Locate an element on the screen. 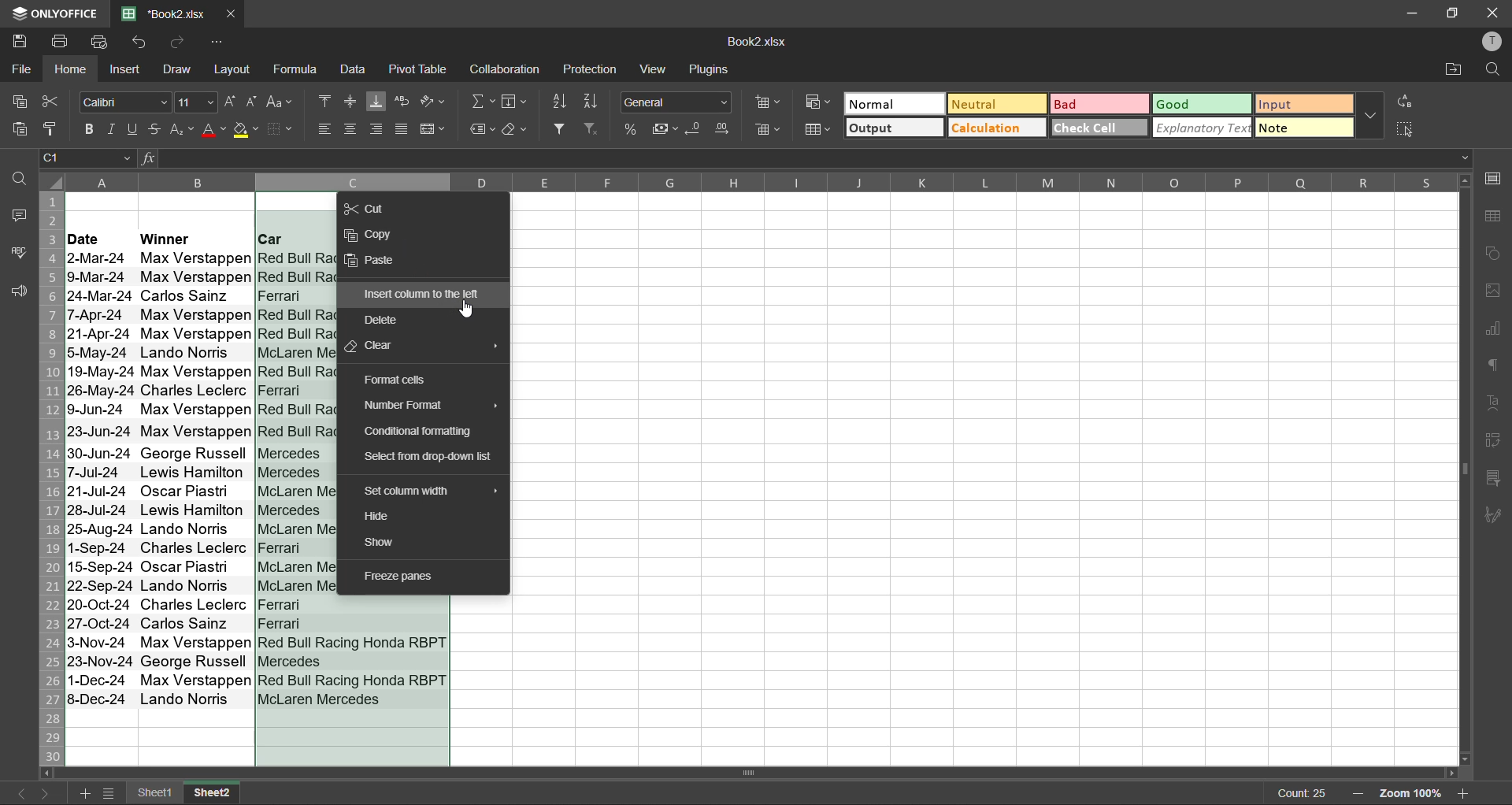  borders is located at coordinates (287, 131).